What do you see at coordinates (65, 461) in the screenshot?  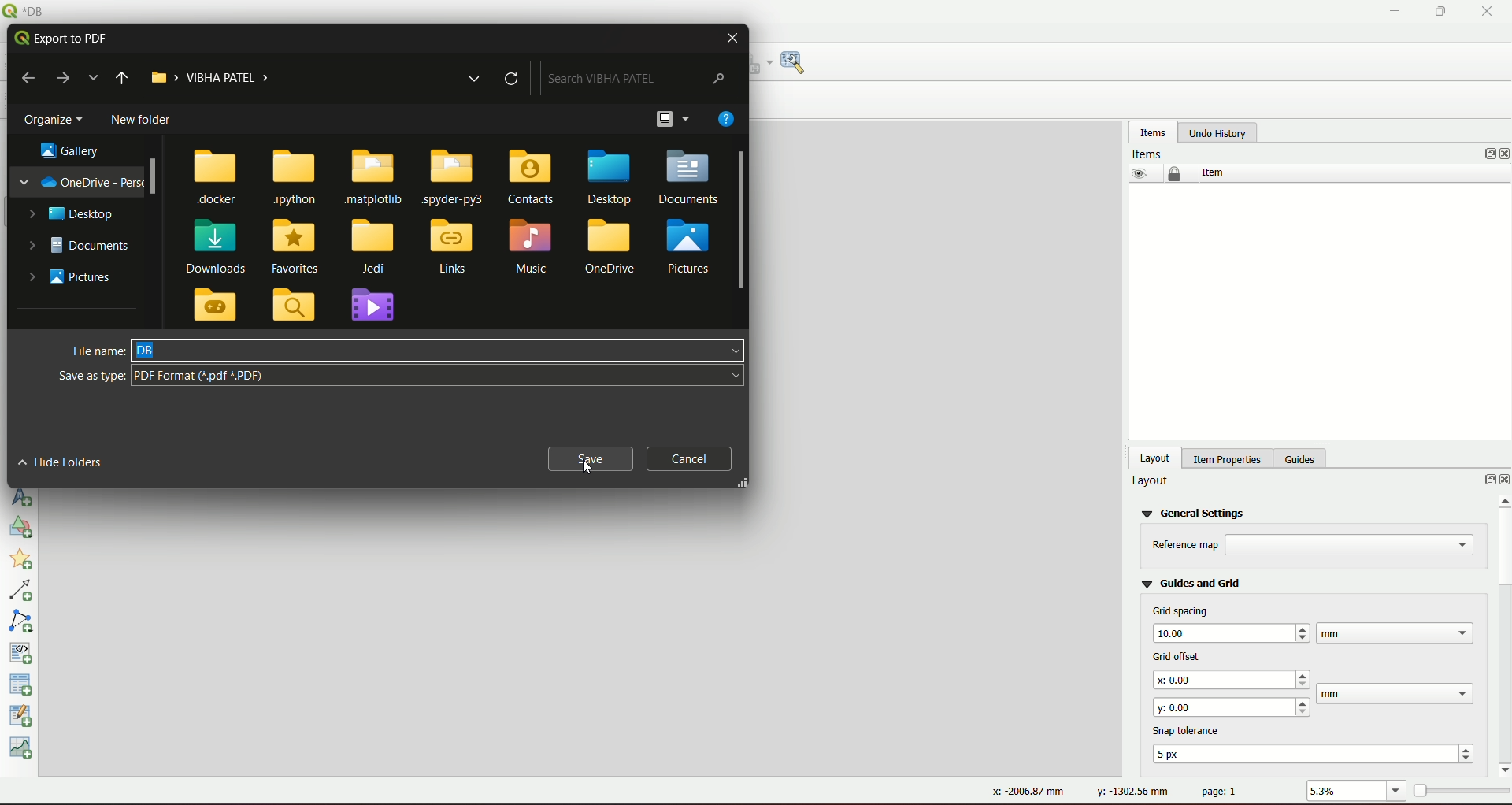 I see `Hide folders` at bounding box center [65, 461].